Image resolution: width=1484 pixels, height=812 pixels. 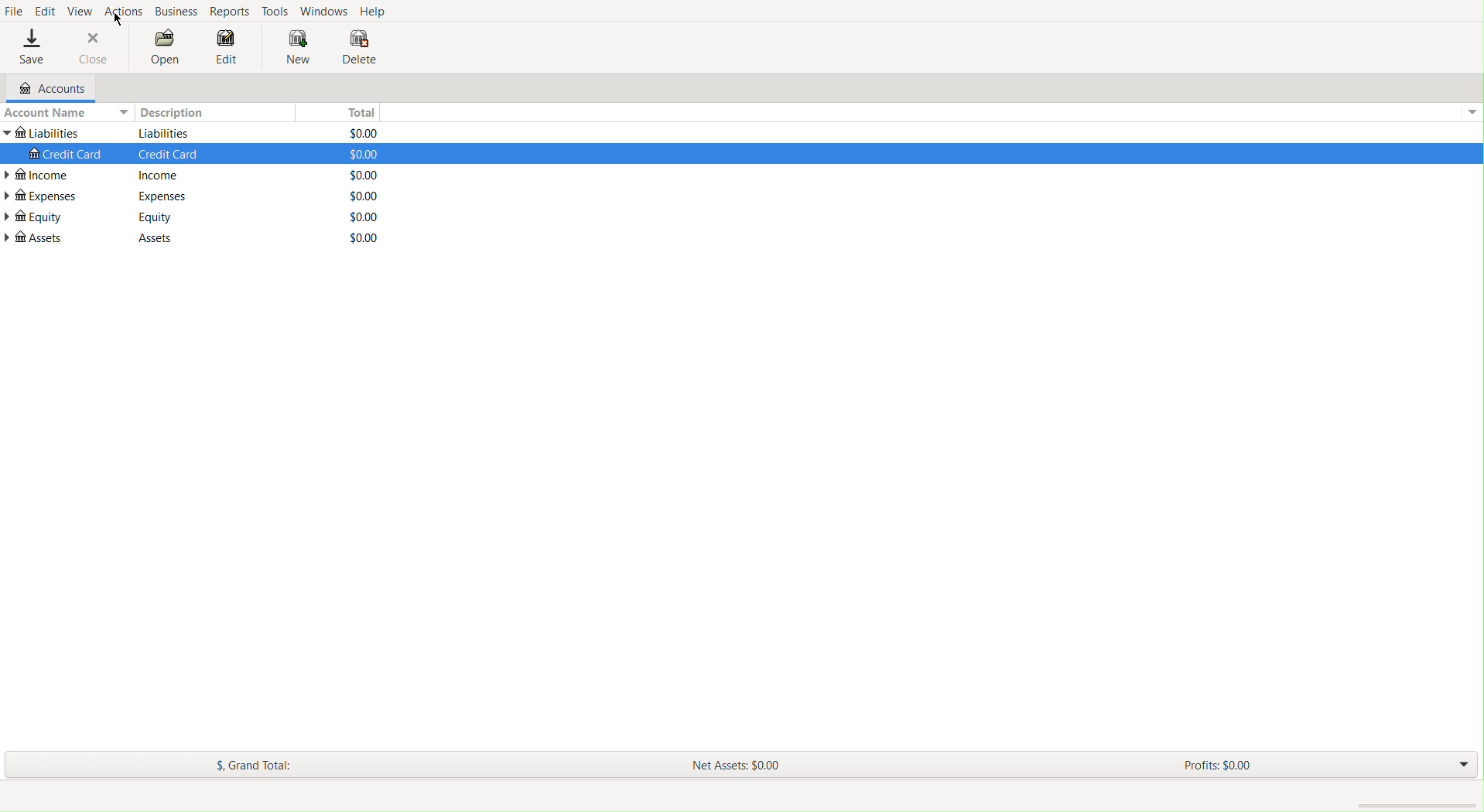 What do you see at coordinates (378, 10) in the screenshot?
I see `Help` at bounding box center [378, 10].